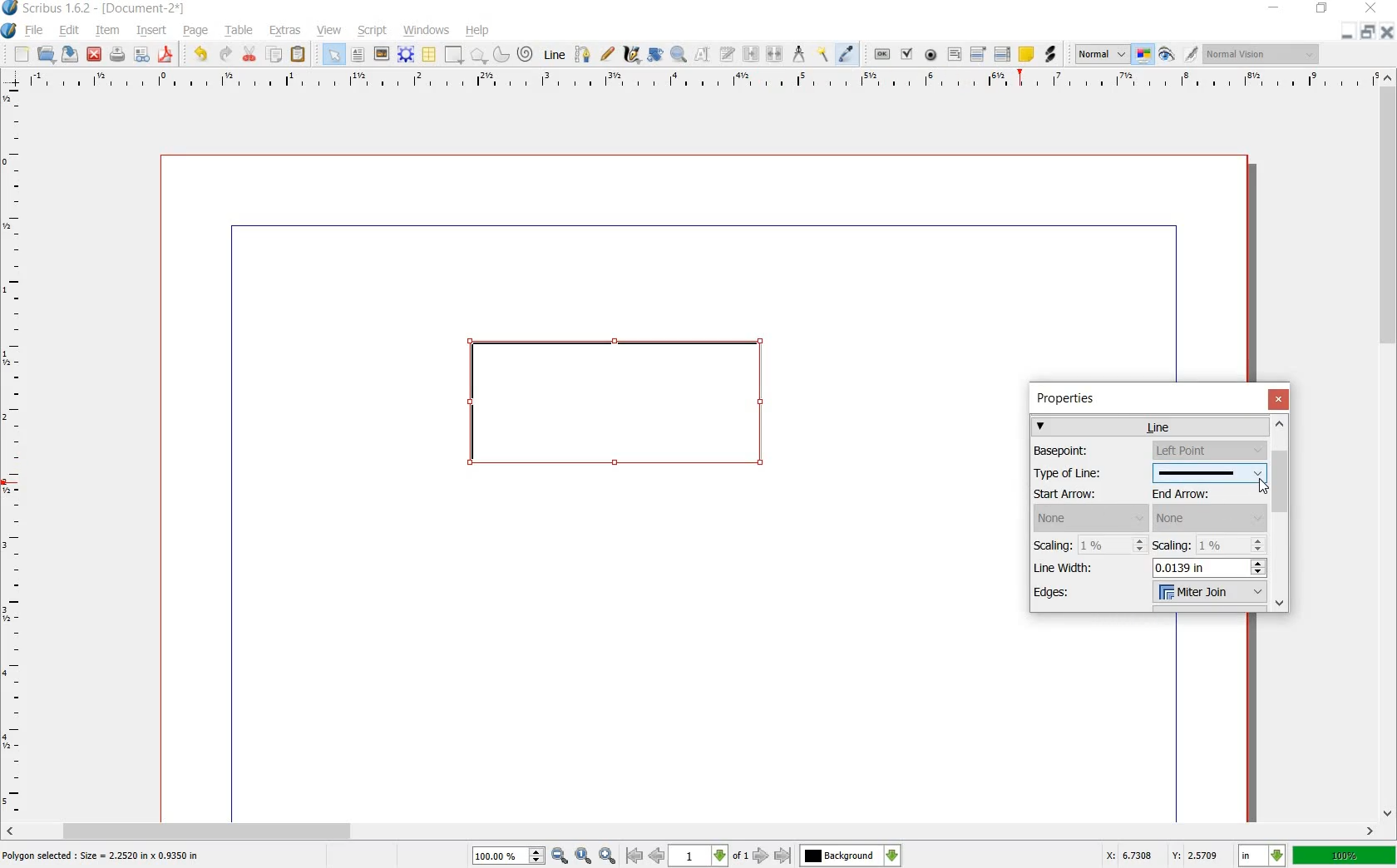  What do you see at coordinates (1163, 856) in the screenshot?
I see `X: 6.7308 Y: 2.5709` at bounding box center [1163, 856].